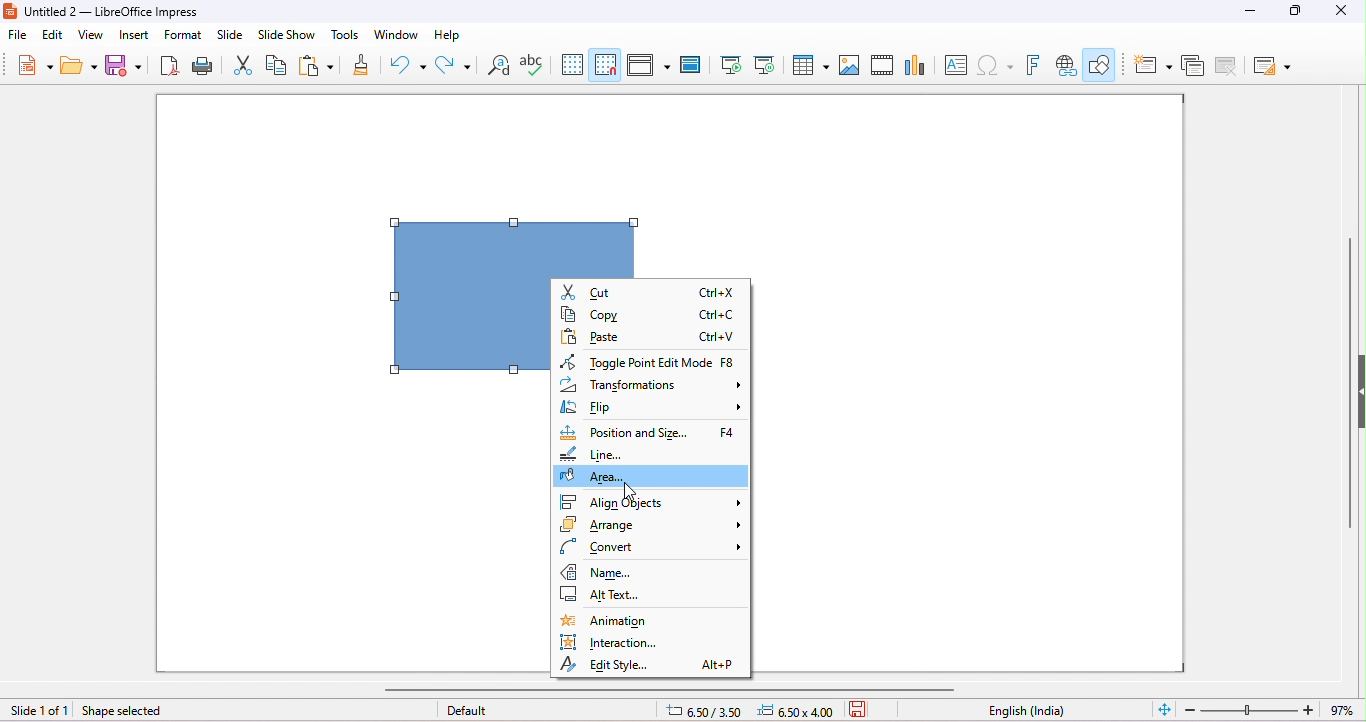  Describe the element at coordinates (606, 64) in the screenshot. I see `snap to grid` at that location.